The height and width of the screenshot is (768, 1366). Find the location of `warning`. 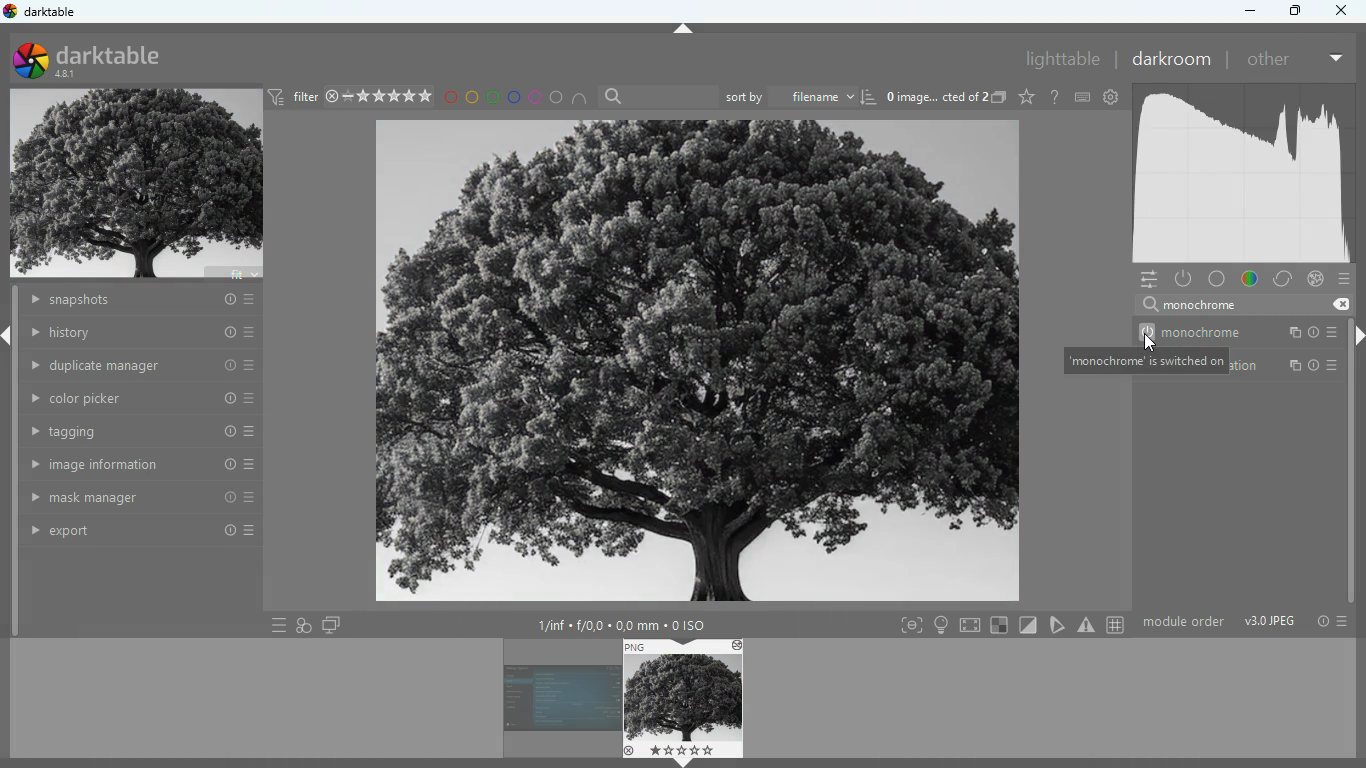

warning is located at coordinates (1086, 624).